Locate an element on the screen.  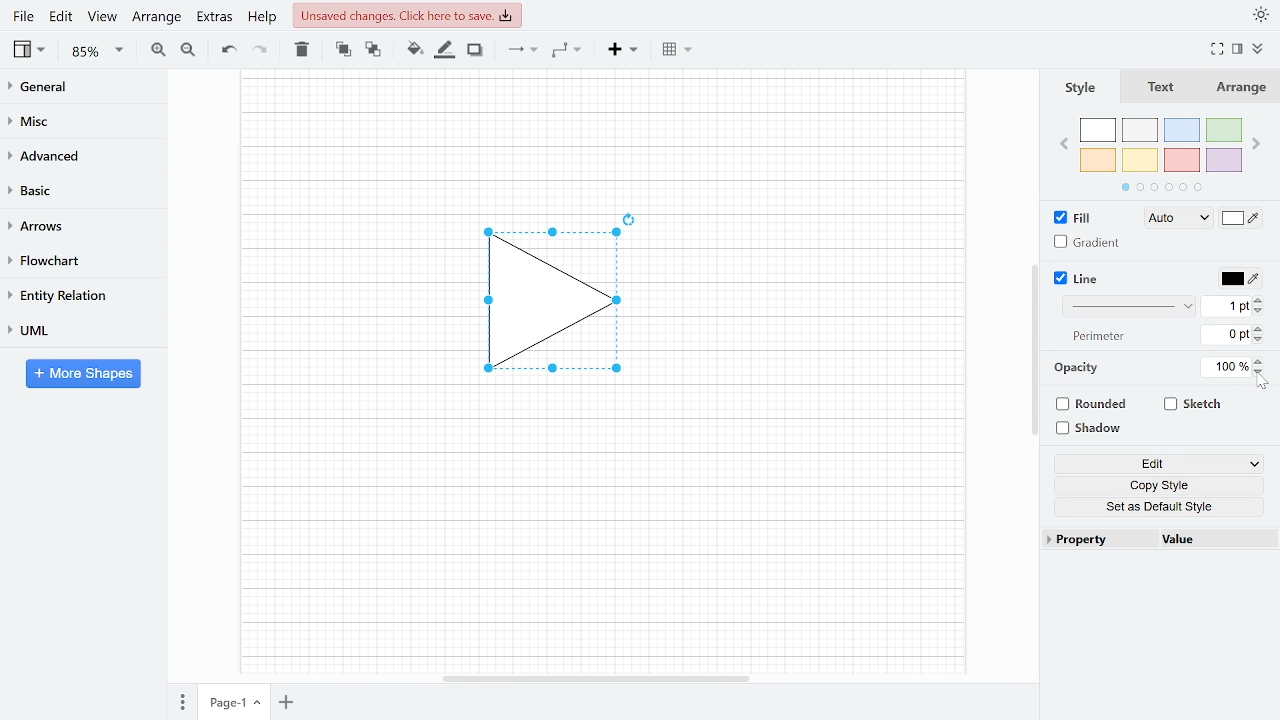
yellow is located at coordinates (1141, 159).